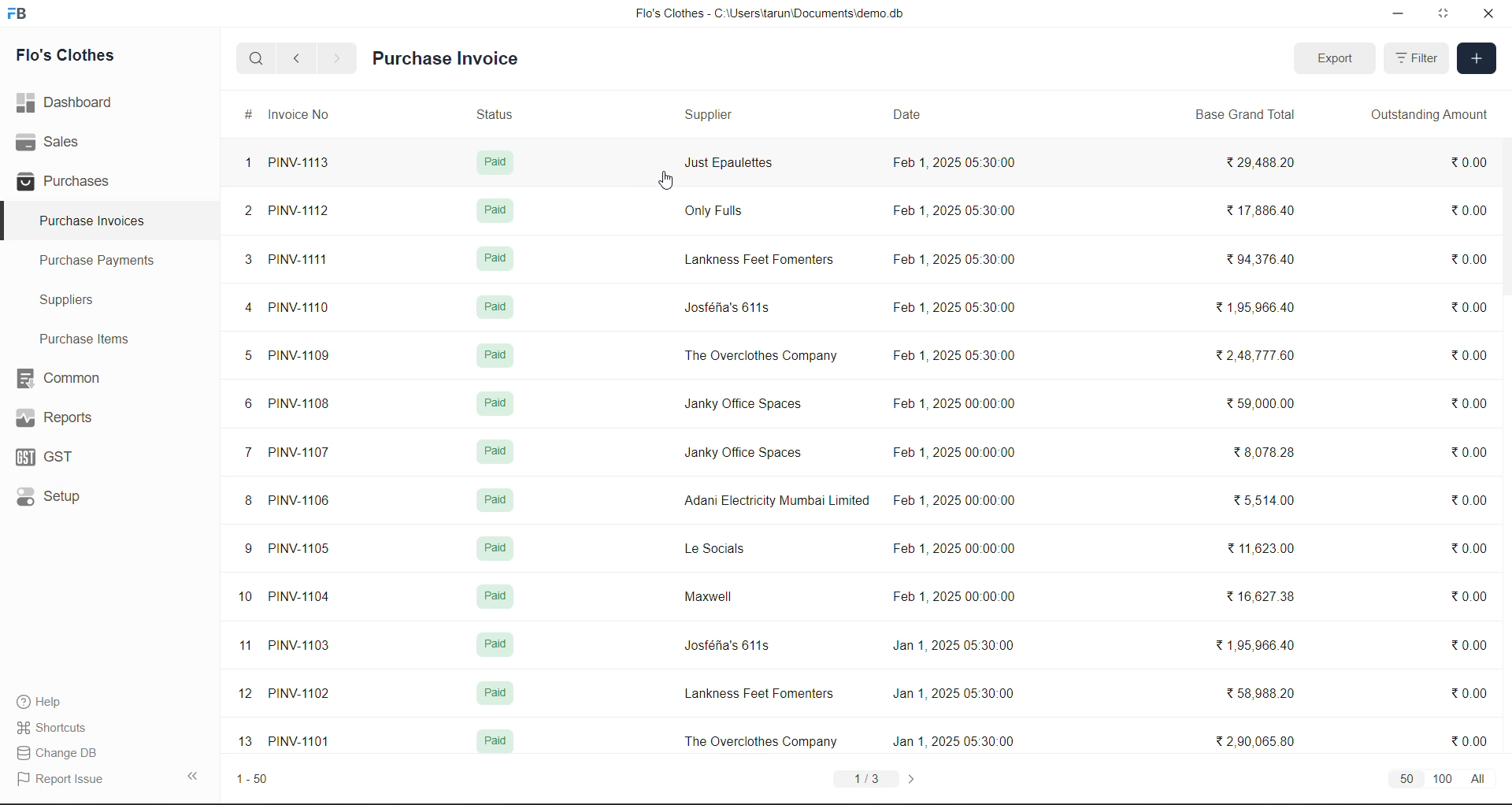 The width and height of the screenshot is (1512, 805). Describe the element at coordinates (495, 548) in the screenshot. I see `Paid` at that location.